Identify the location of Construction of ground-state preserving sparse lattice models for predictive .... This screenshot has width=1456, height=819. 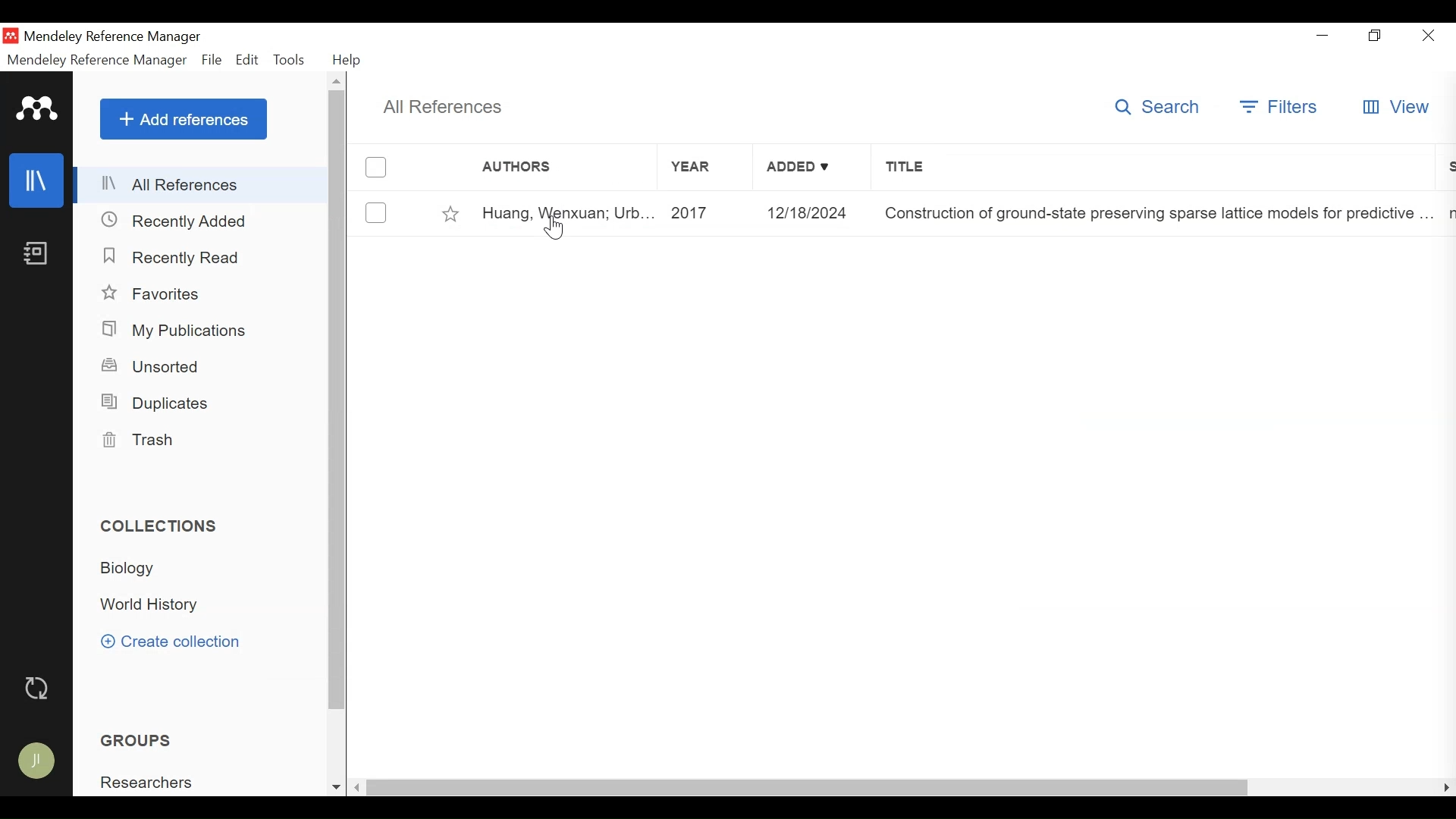
(1154, 214).